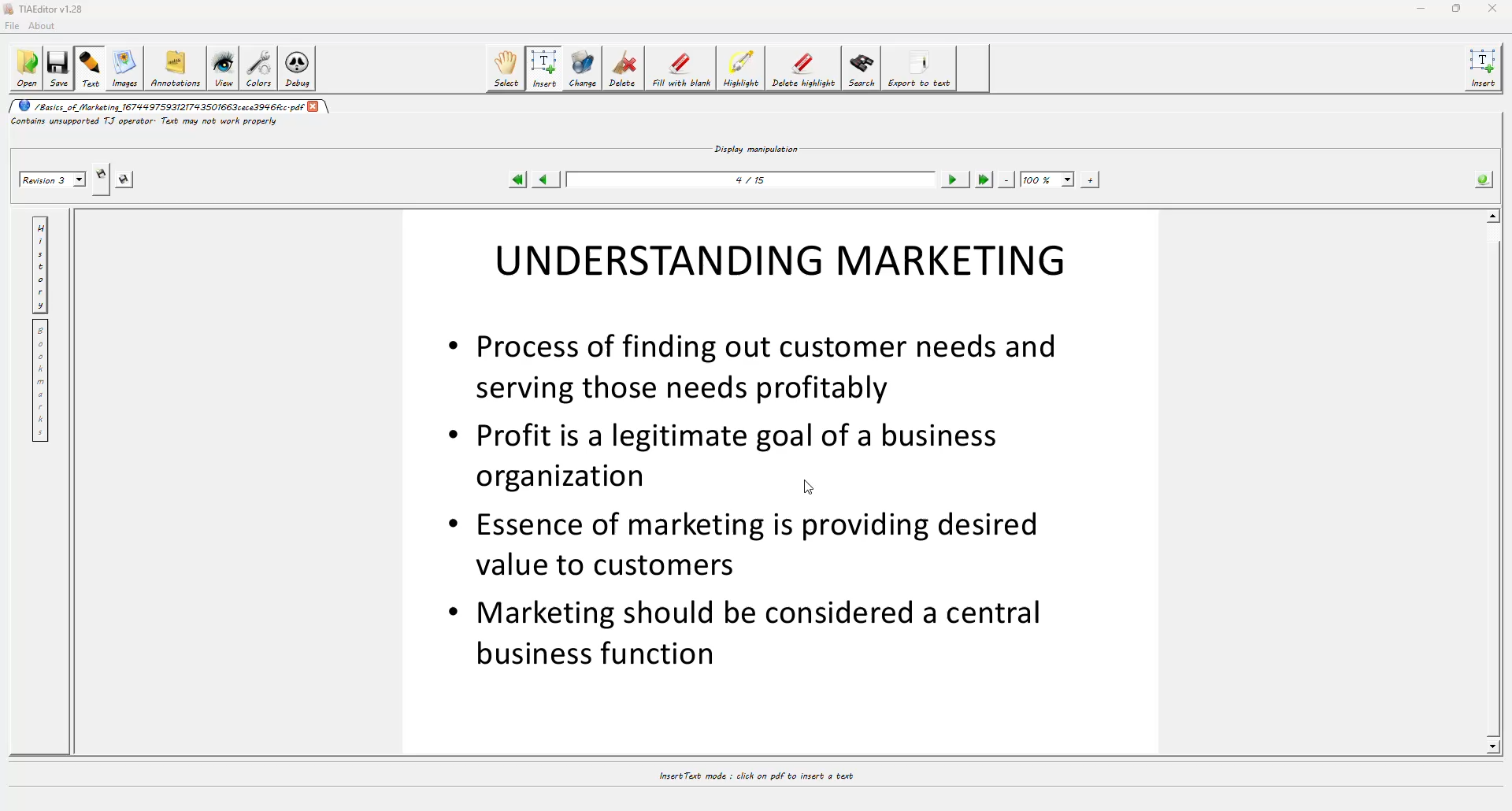  I want to click on UNDERSTANDING MARKETING  ﻿﻿Process of finding out customer needs and serving those needs profitably ﻿﻿Profit is a legitimate goal of a business organization ﻿﻿Essence of marketing is providing desired value to customers ﻿﻿Marketing should be considered a central business function, so click(758, 455).